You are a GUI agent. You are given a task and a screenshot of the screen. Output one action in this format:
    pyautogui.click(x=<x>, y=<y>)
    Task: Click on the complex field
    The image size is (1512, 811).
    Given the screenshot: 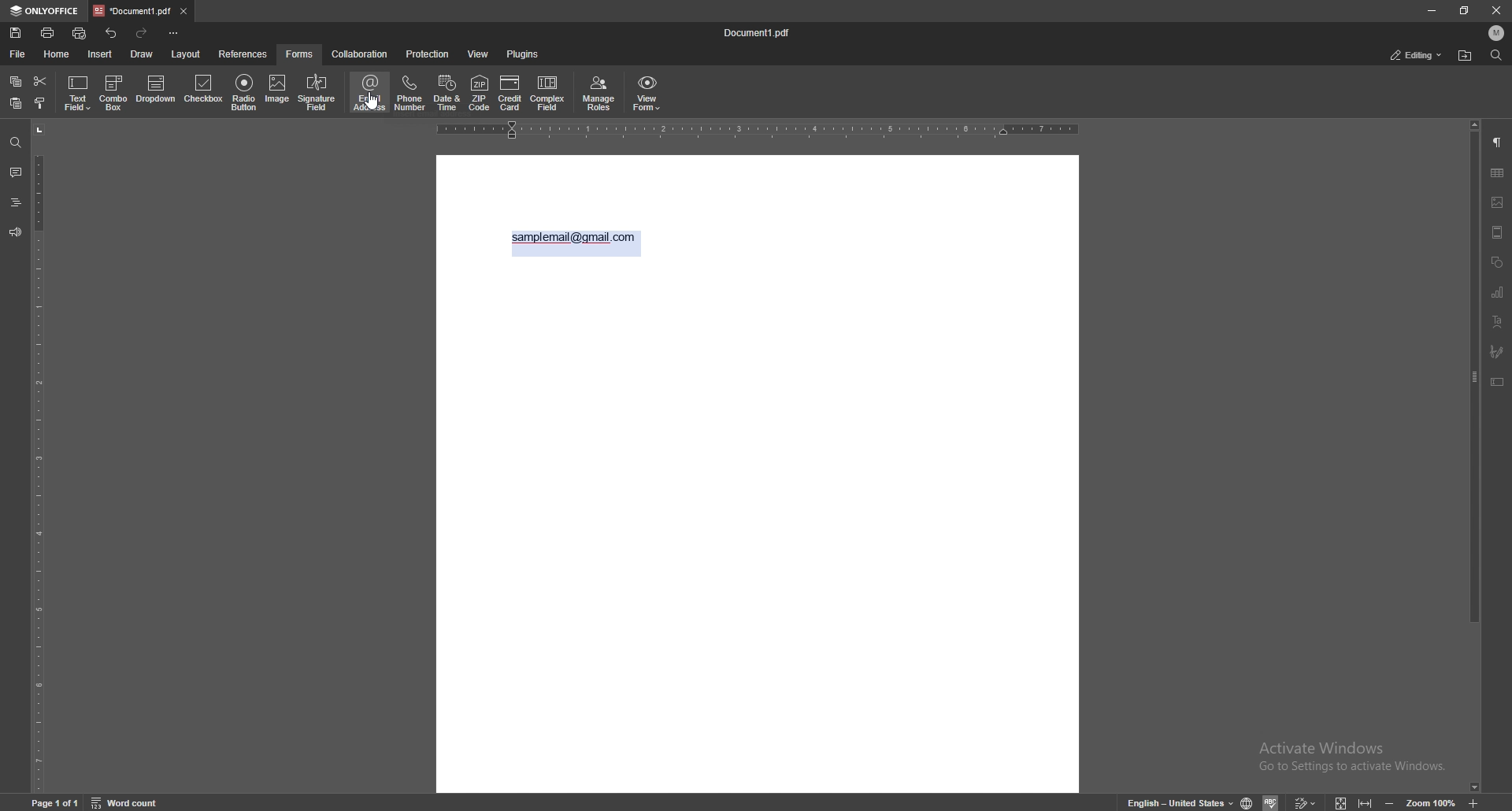 What is the action you would take?
    pyautogui.click(x=548, y=93)
    